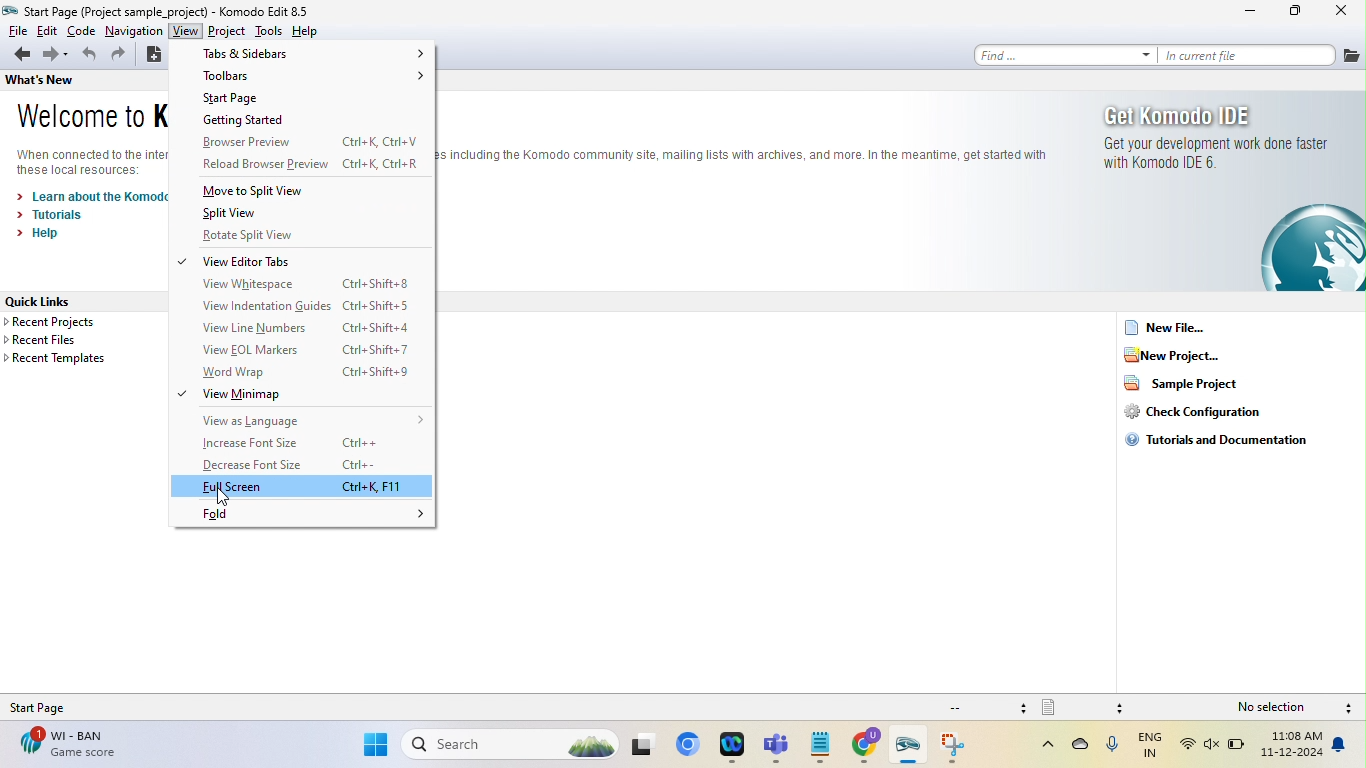  What do you see at coordinates (1238, 748) in the screenshot?
I see `battery` at bounding box center [1238, 748].